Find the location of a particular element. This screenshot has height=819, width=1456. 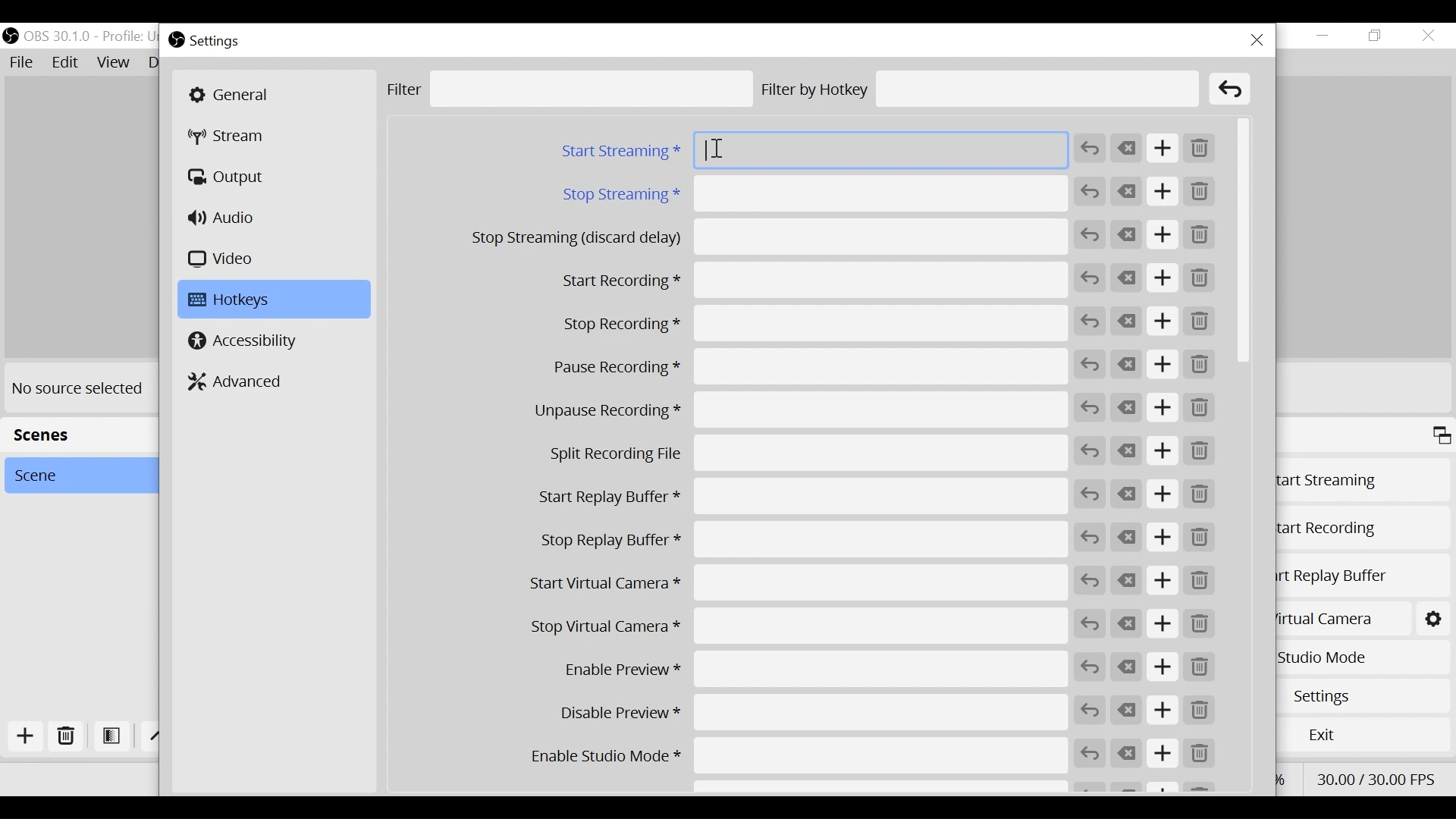

Revert is located at coordinates (1090, 366).